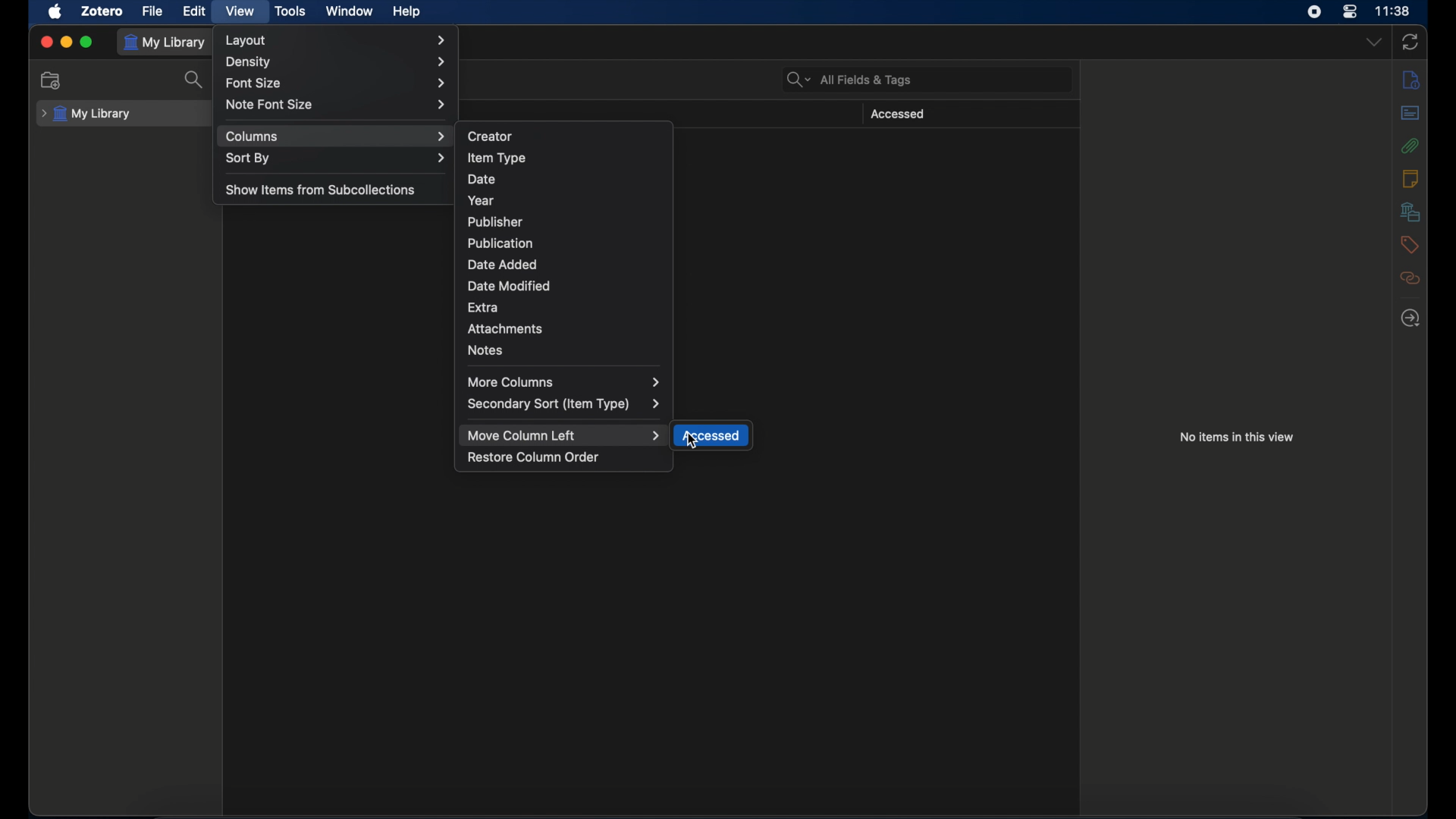  I want to click on secondary sort, so click(565, 404).